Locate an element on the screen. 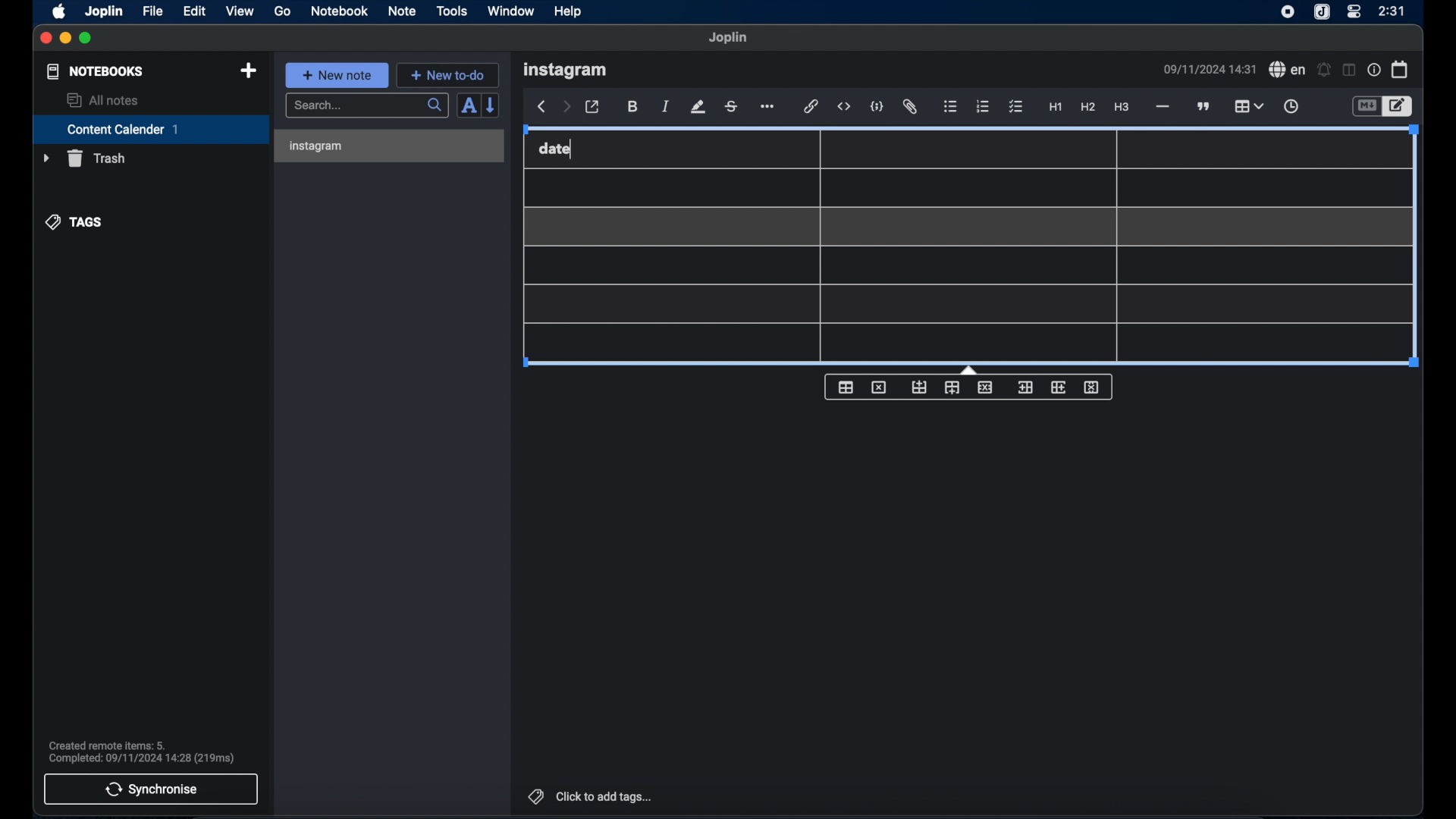  joplin is located at coordinates (104, 11).